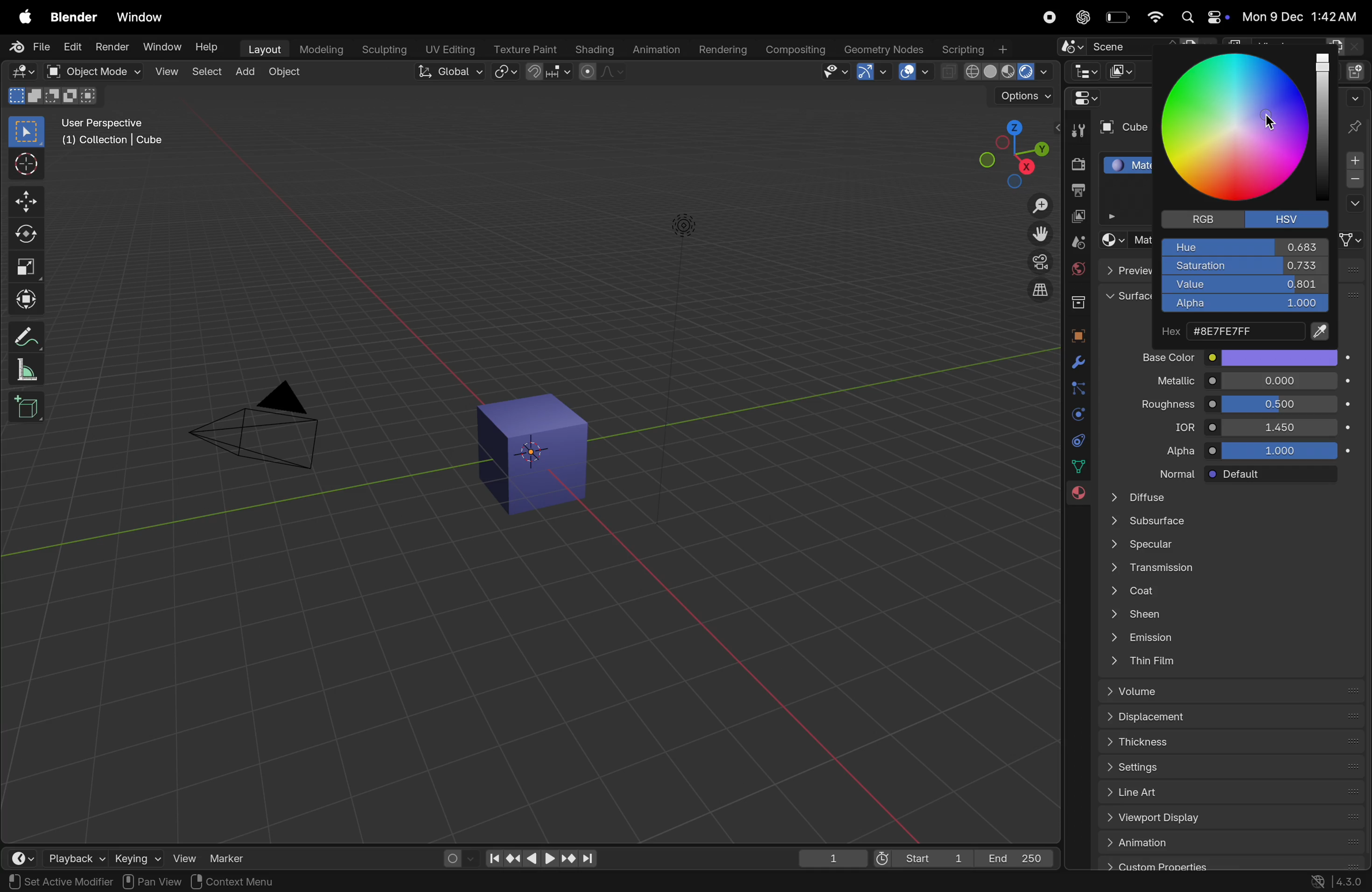 The width and height of the screenshot is (1372, 892). Describe the element at coordinates (1081, 98) in the screenshot. I see `editor type` at that location.